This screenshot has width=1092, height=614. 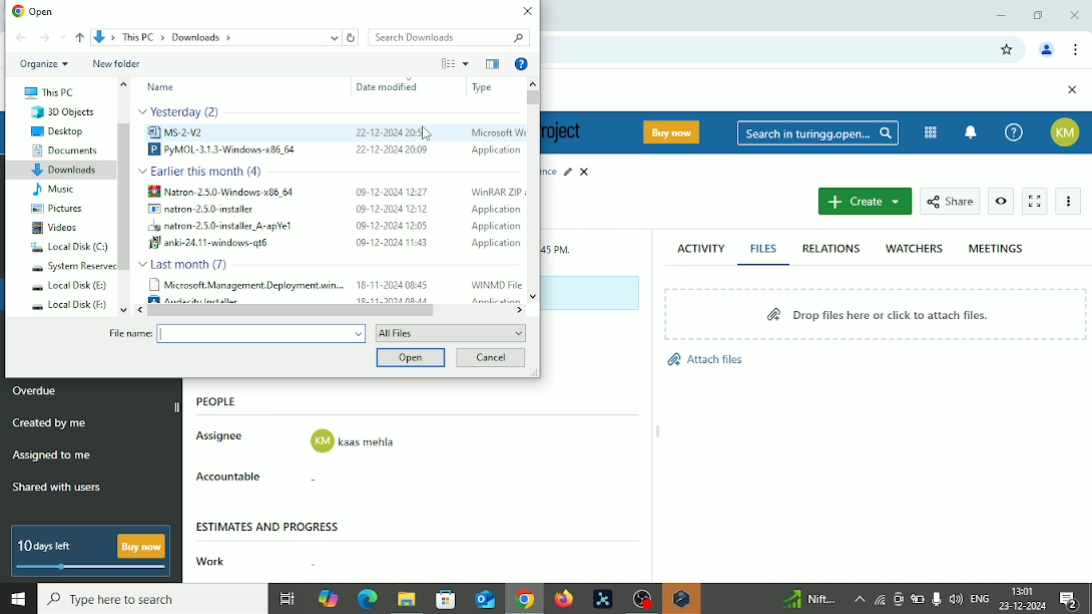 I want to click on assignee, so click(x=354, y=442).